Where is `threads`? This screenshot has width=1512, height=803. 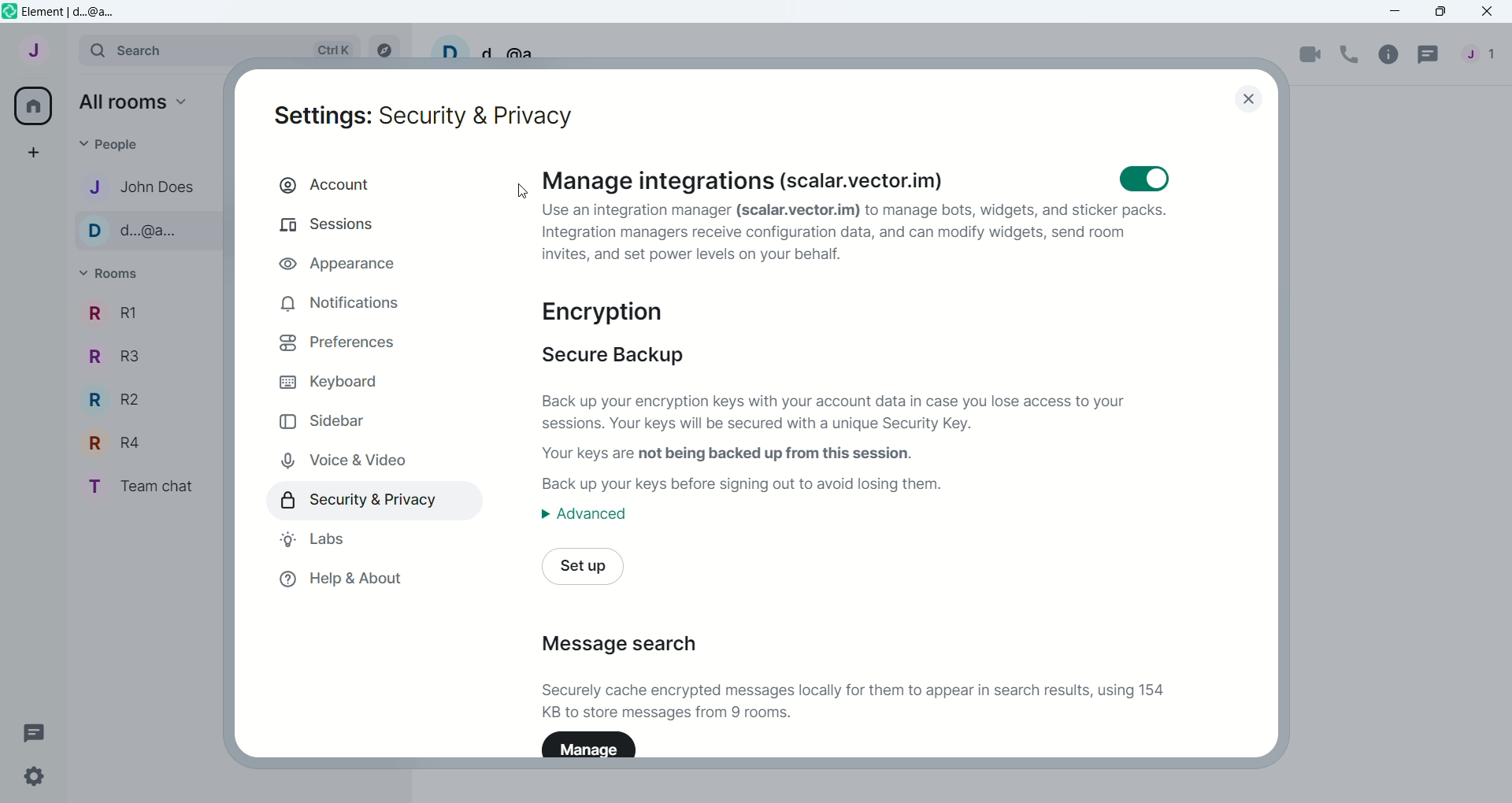 threads is located at coordinates (1430, 54).